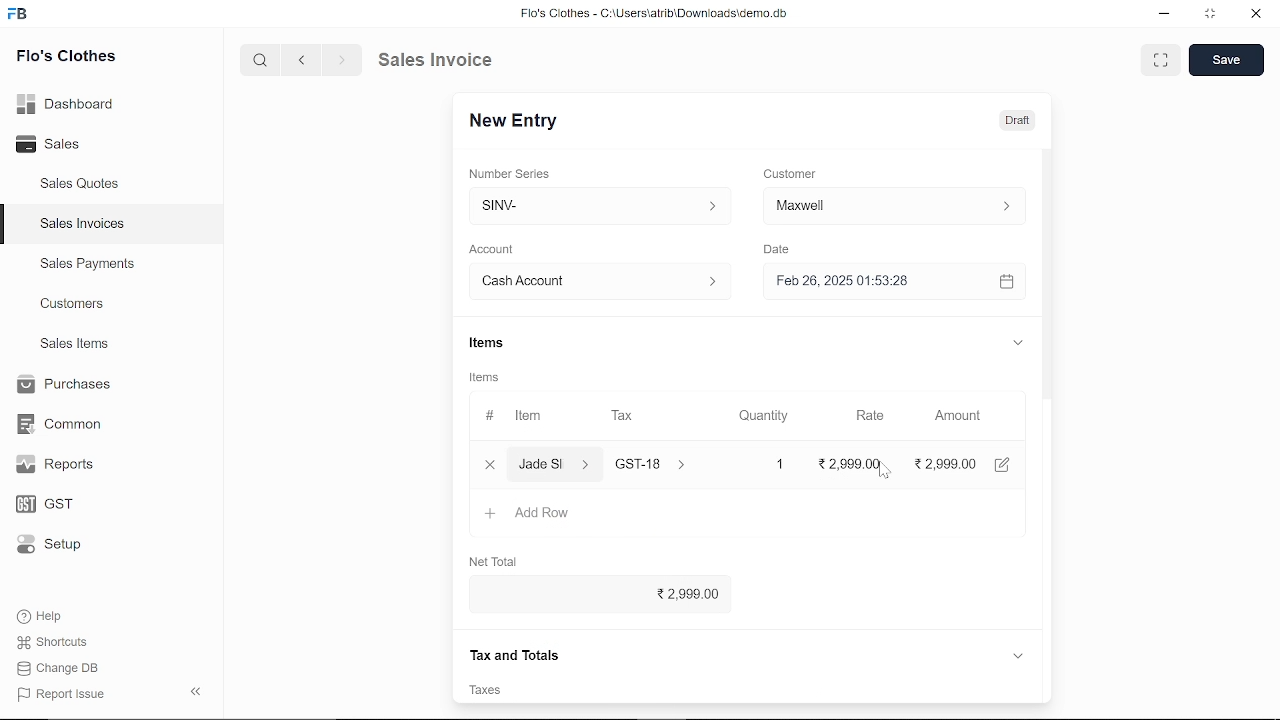 This screenshot has height=720, width=1280. I want to click on Sales Invoices, so click(89, 226).